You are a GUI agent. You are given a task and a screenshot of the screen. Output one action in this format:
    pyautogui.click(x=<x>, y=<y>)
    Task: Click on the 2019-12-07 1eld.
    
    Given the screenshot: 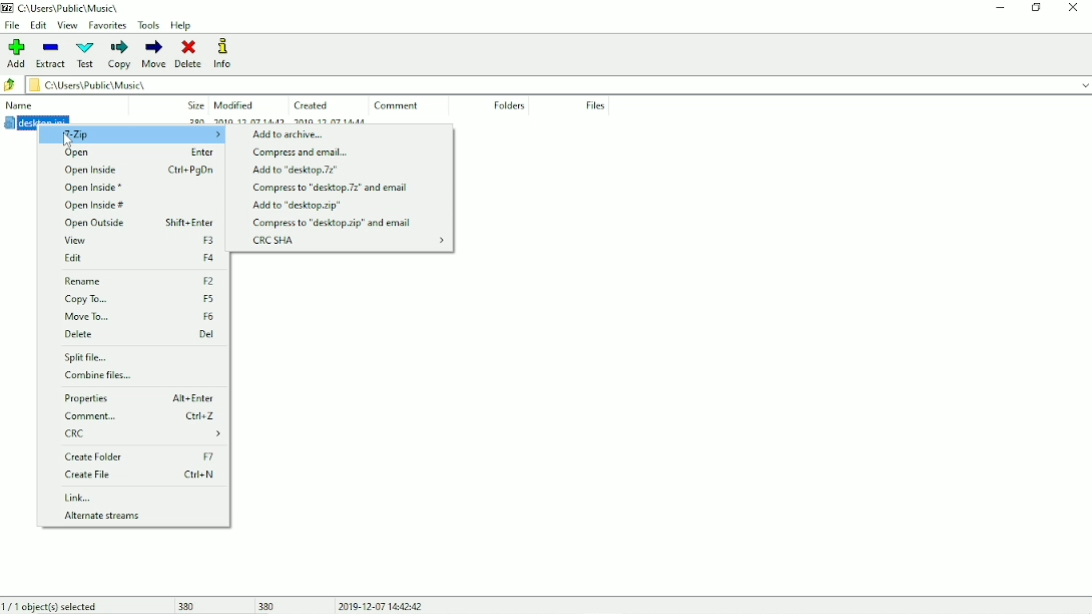 What is the action you would take?
    pyautogui.click(x=343, y=121)
    